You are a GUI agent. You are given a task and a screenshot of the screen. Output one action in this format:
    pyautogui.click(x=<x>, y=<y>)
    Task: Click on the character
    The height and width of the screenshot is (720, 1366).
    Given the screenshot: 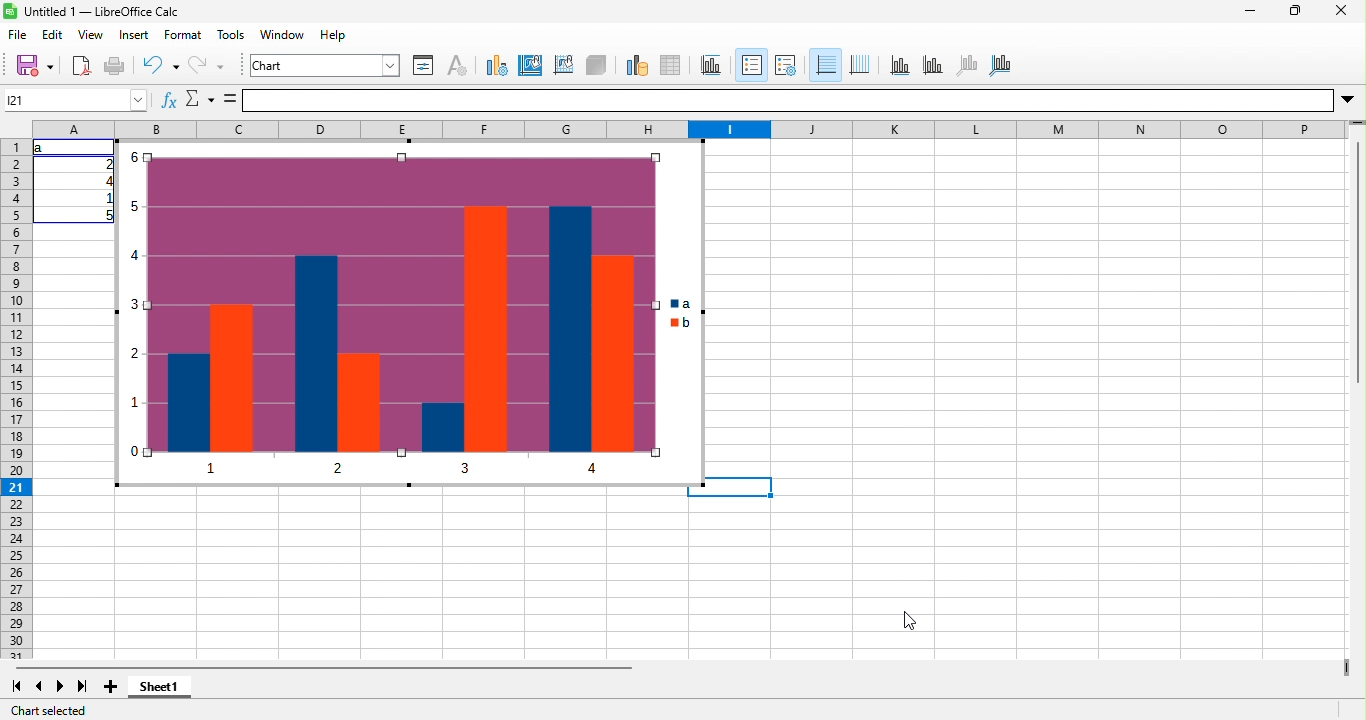 What is the action you would take?
    pyautogui.click(x=457, y=67)
    